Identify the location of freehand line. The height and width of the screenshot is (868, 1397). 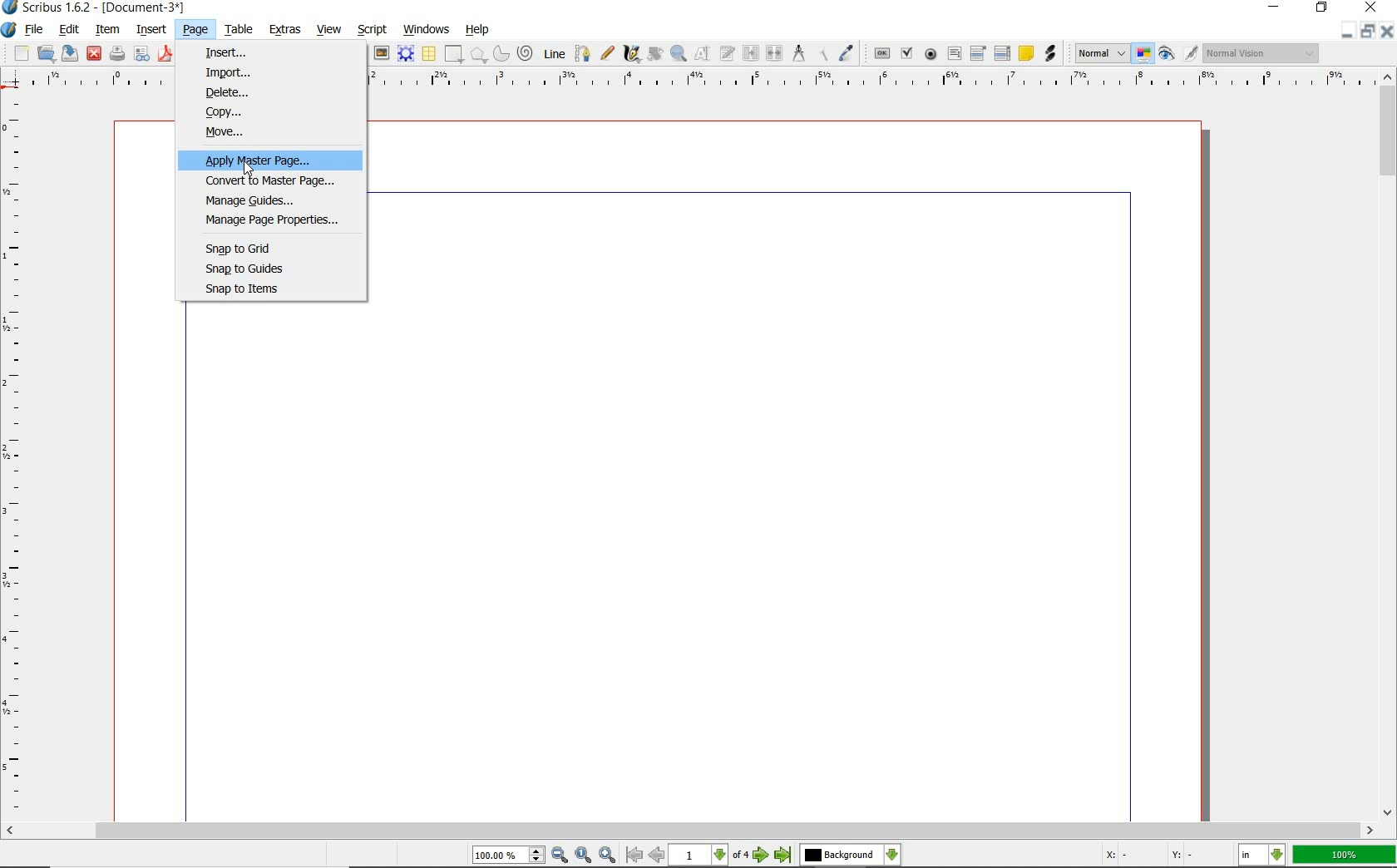
(607, 53).